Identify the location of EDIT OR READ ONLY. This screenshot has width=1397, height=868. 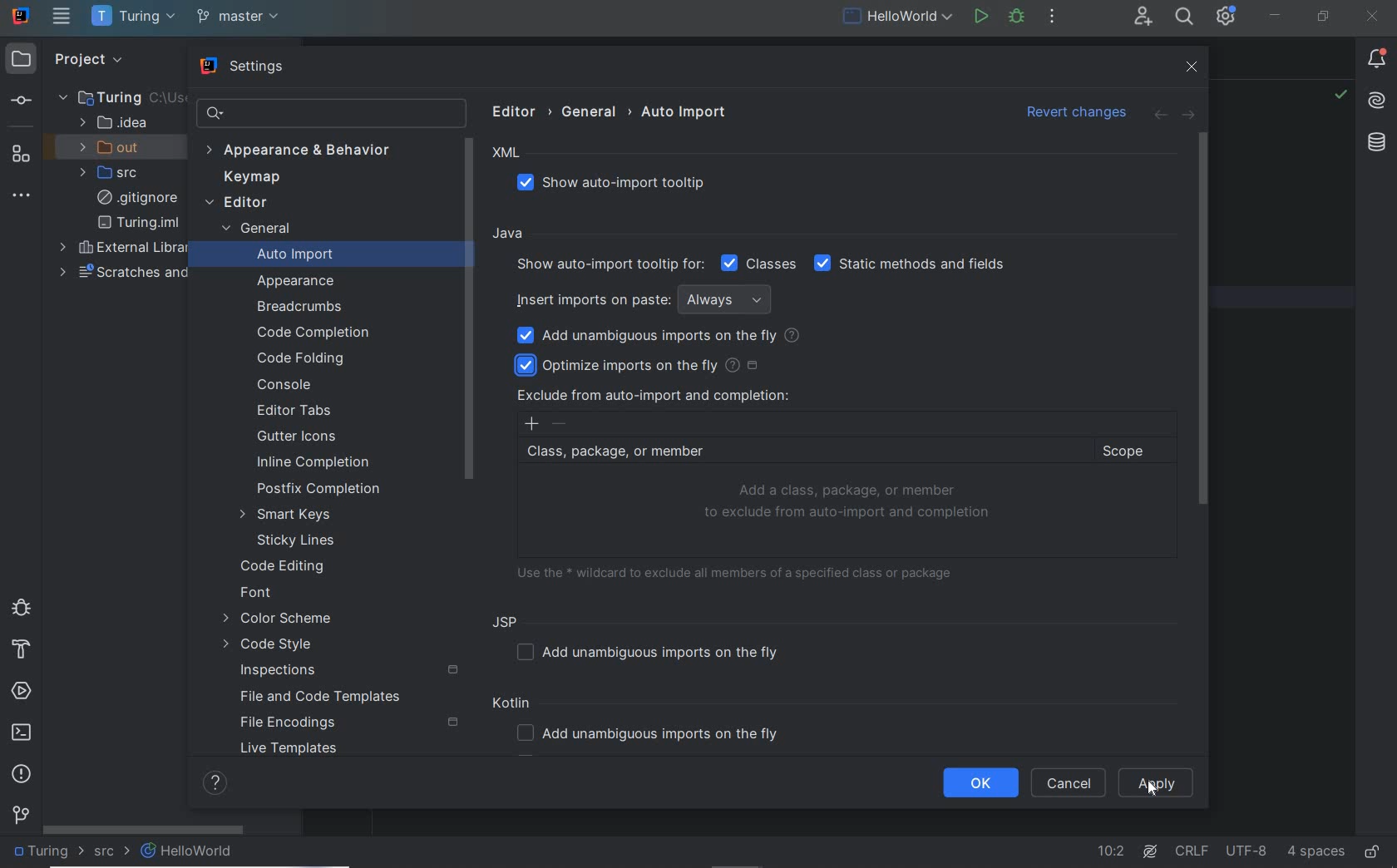
(1374, 844).